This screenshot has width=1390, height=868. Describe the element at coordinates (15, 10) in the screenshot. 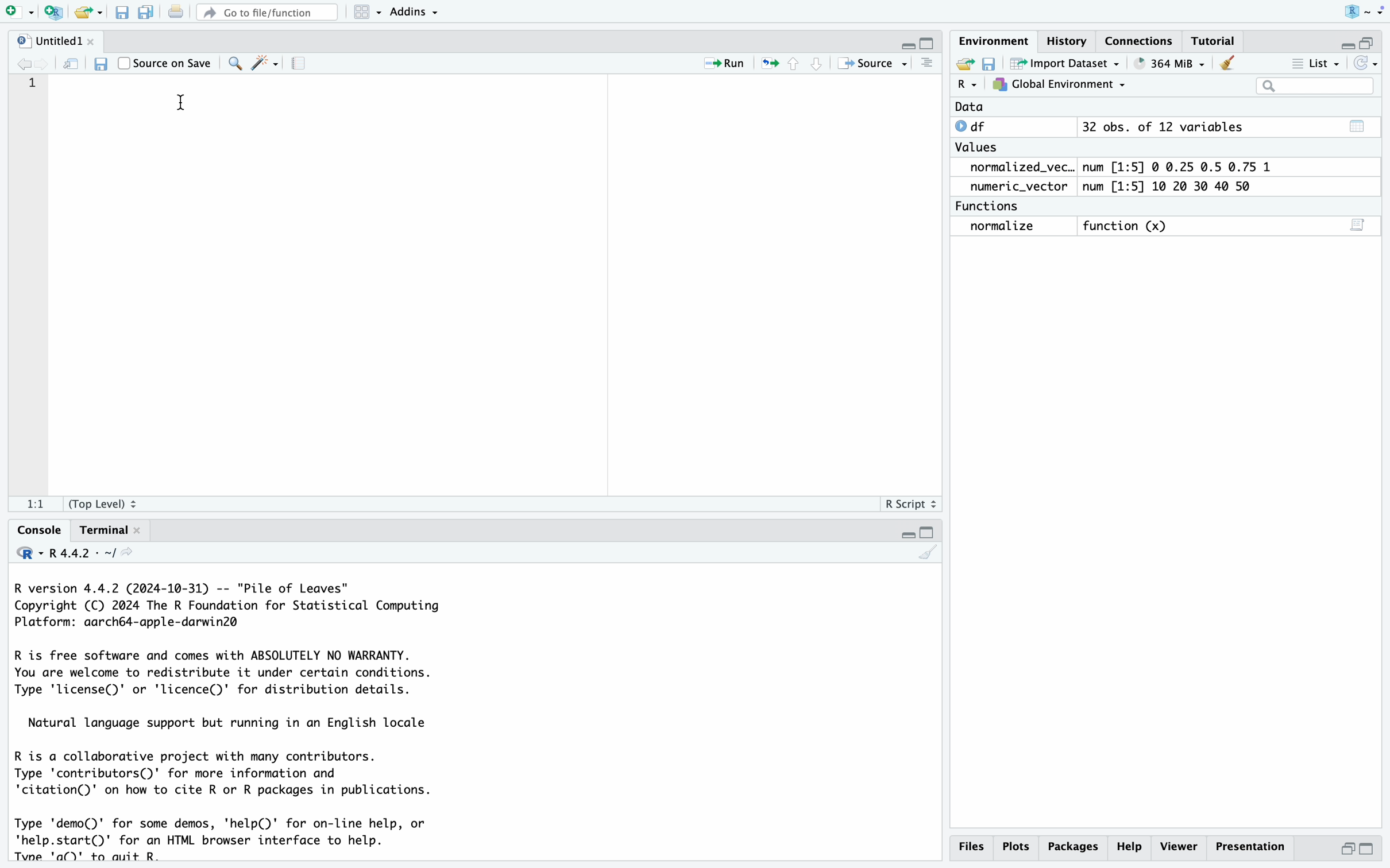

I see `New Page` at that location.